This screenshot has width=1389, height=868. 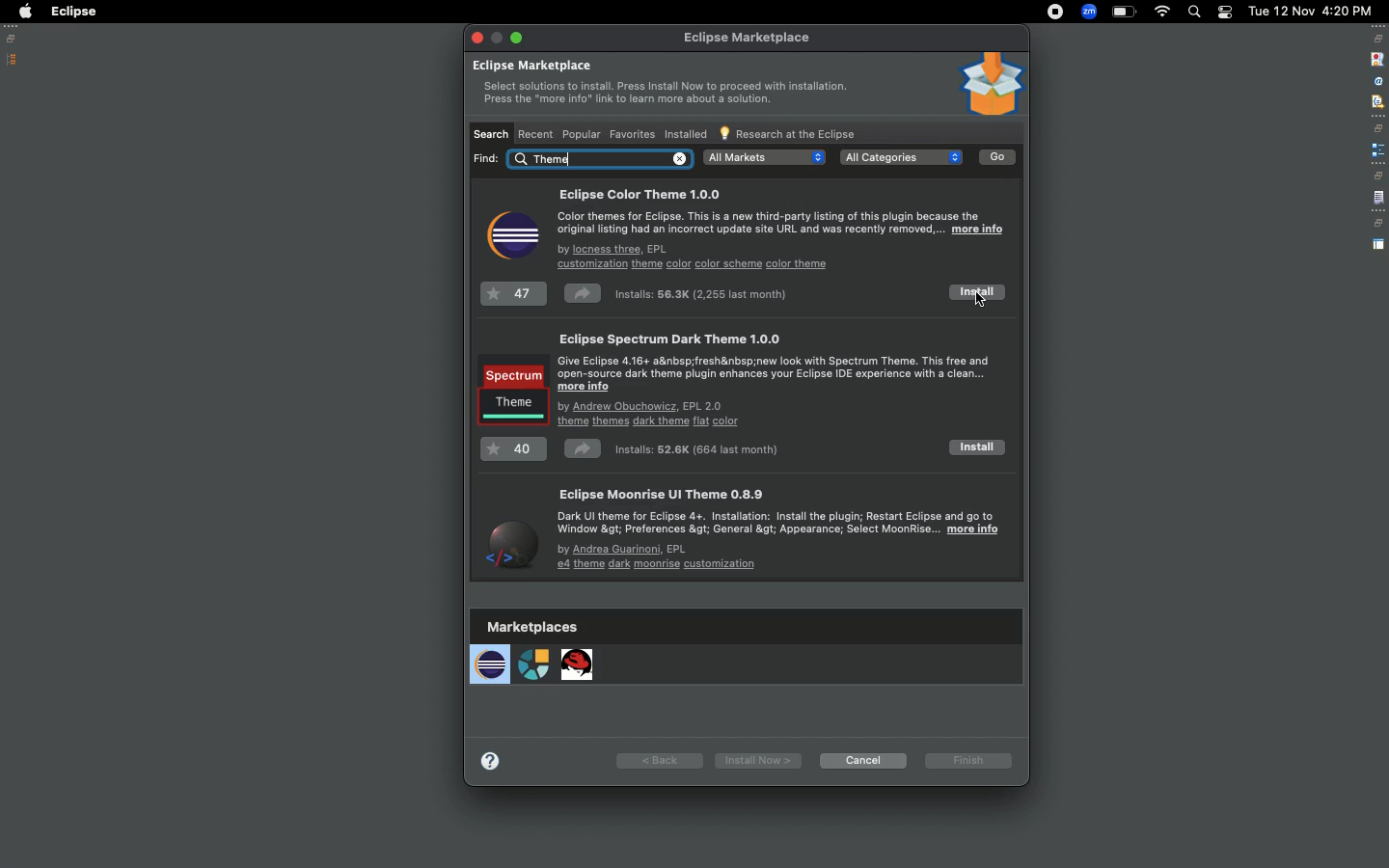 I want to click on Eclipse moonrise UI theme, so click(x=786, y=529).